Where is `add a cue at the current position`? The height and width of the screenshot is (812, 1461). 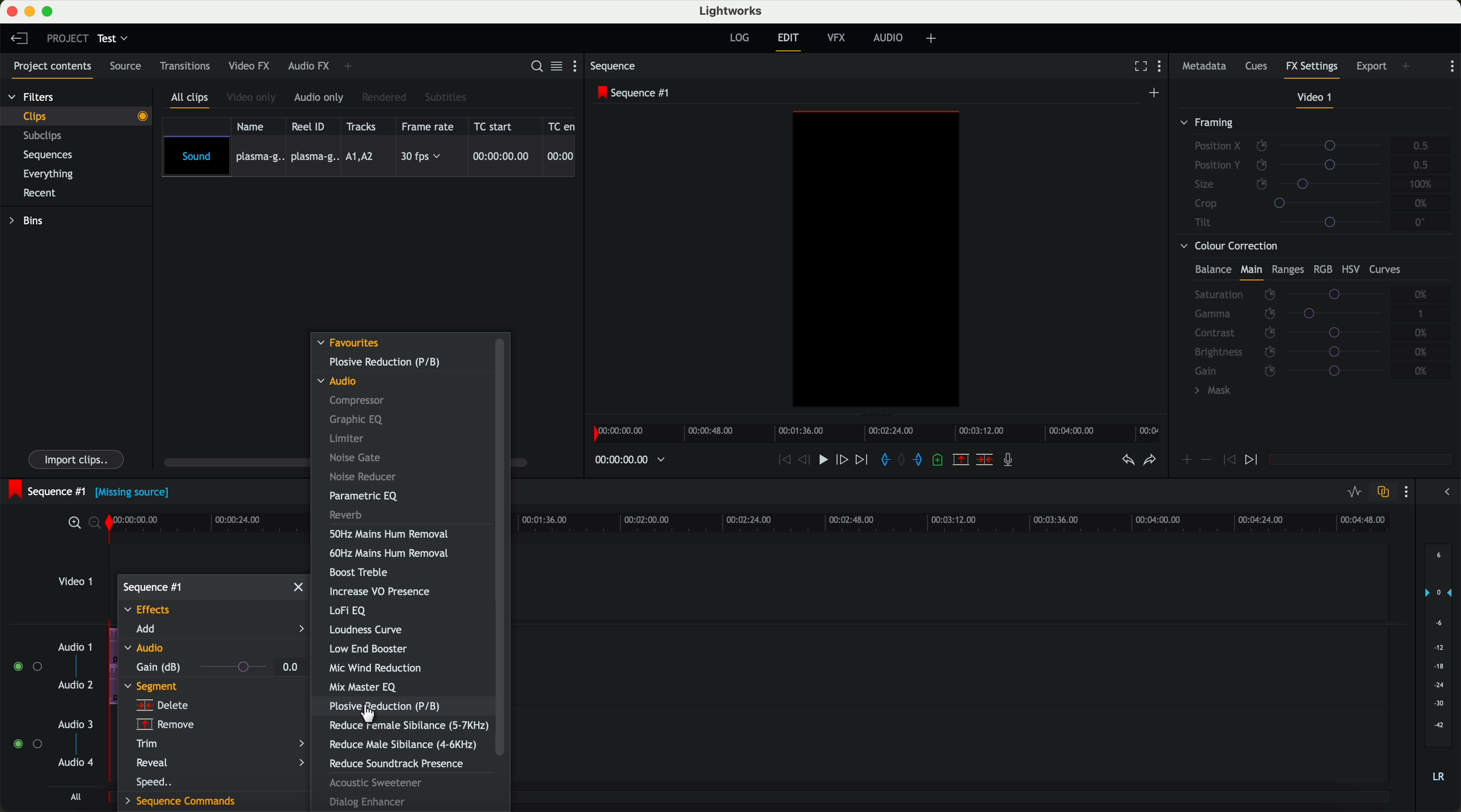 add a cue at the current position is located at coordinates (941, 462).